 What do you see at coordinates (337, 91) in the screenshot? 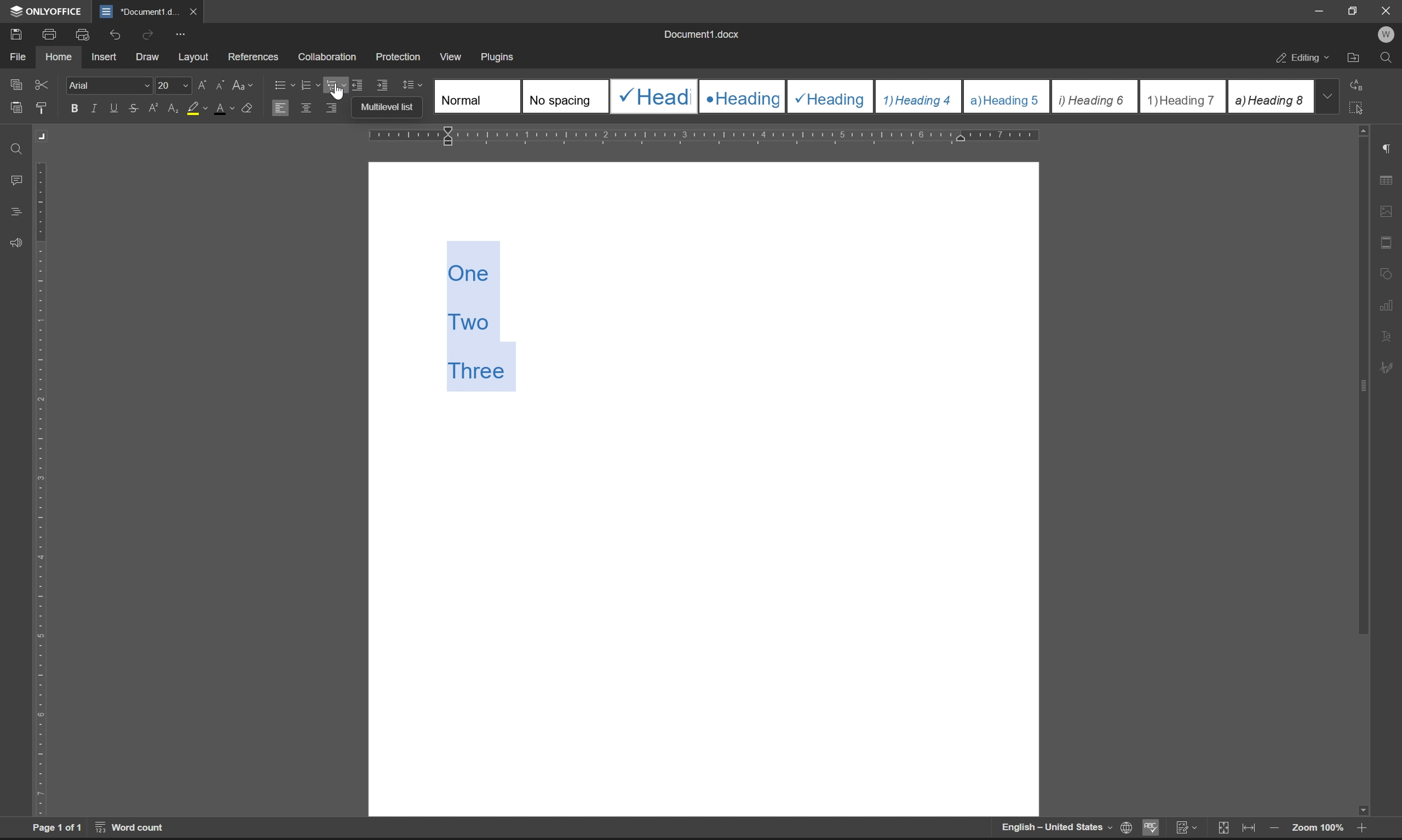
I see `cursor` at bounding box center [337, 91].